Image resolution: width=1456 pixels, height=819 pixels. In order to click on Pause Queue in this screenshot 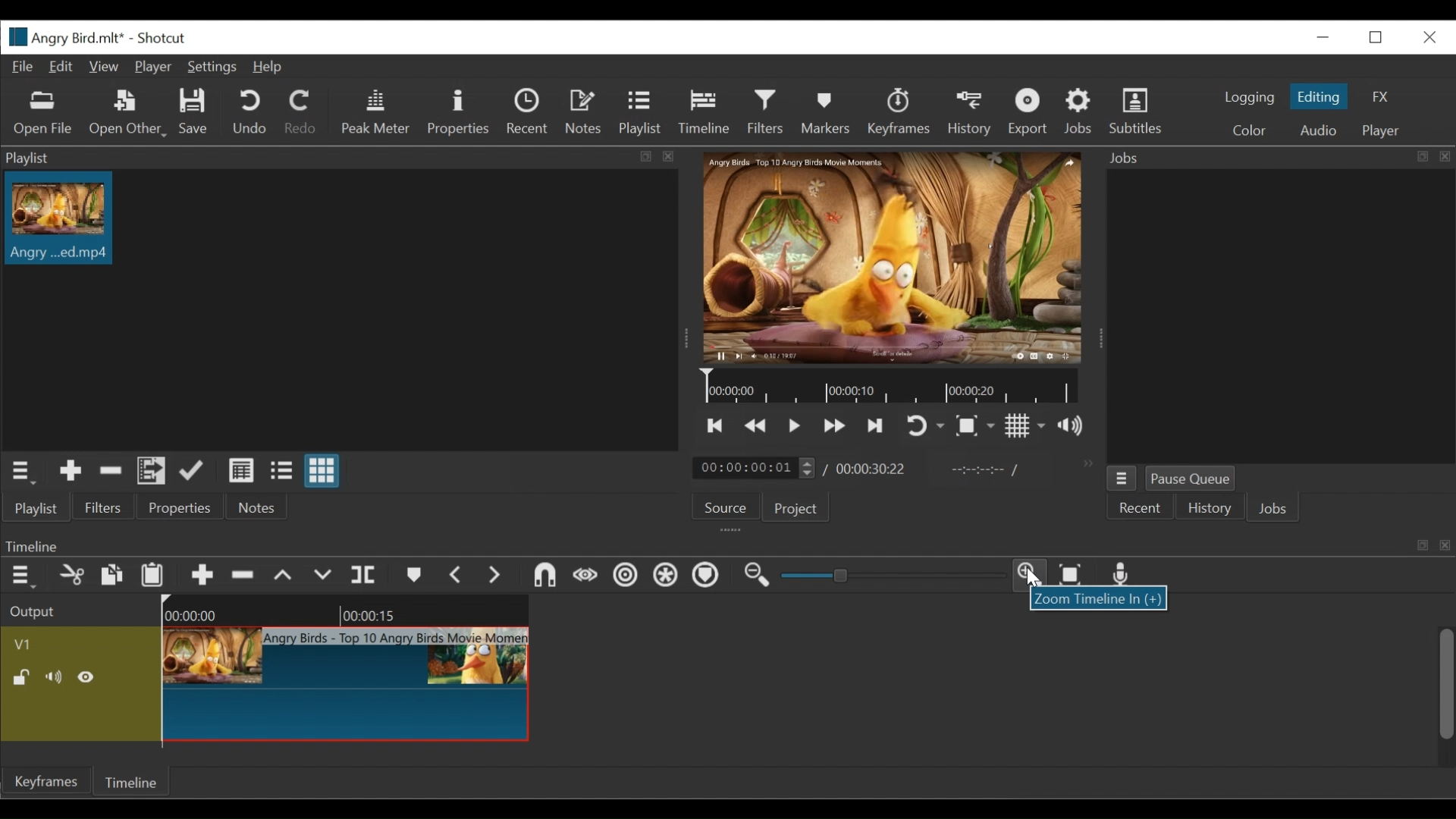, I will do `click(1191, 478)`.